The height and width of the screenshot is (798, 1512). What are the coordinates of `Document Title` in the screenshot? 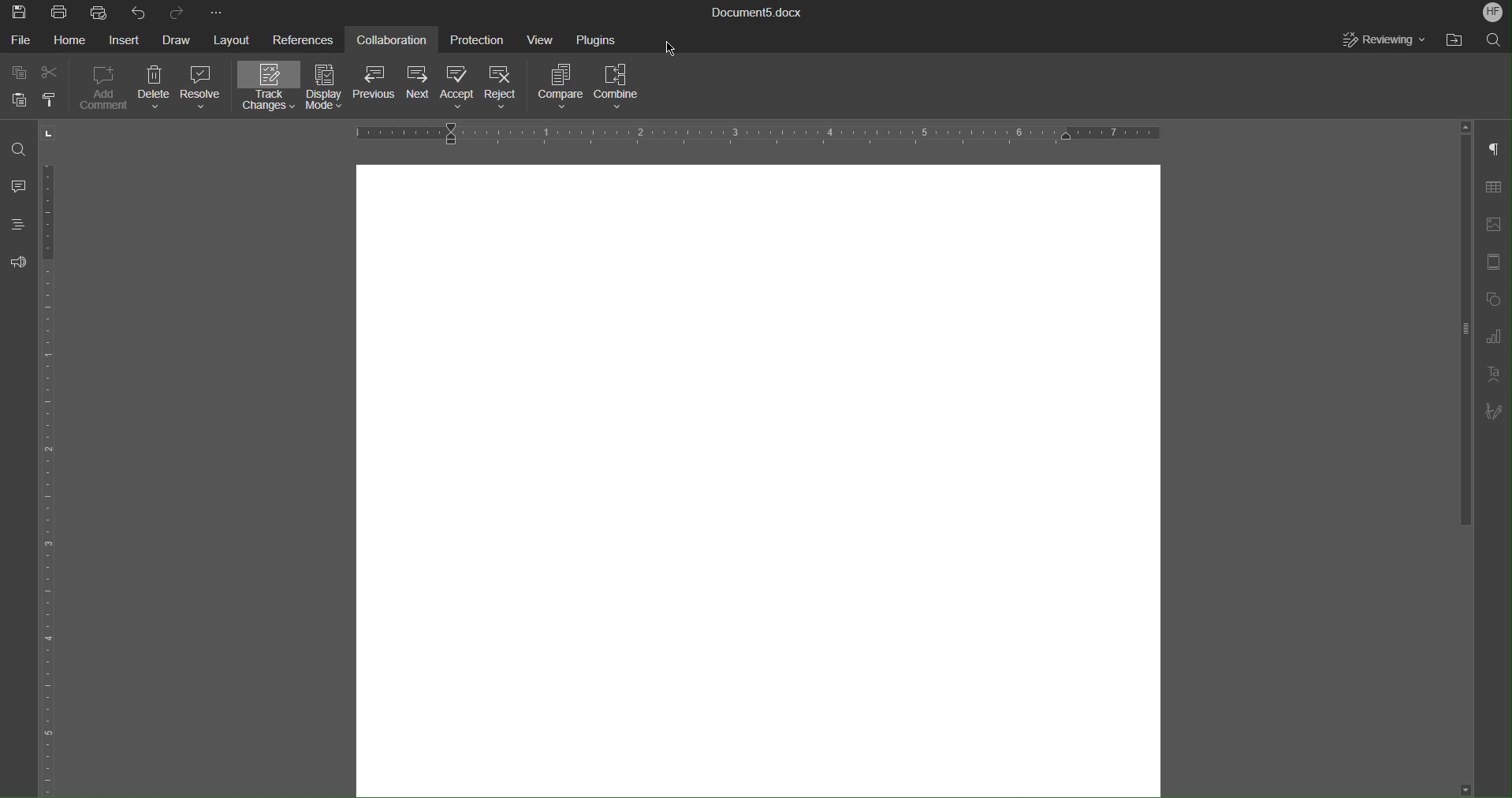 It's located at (755, 13).